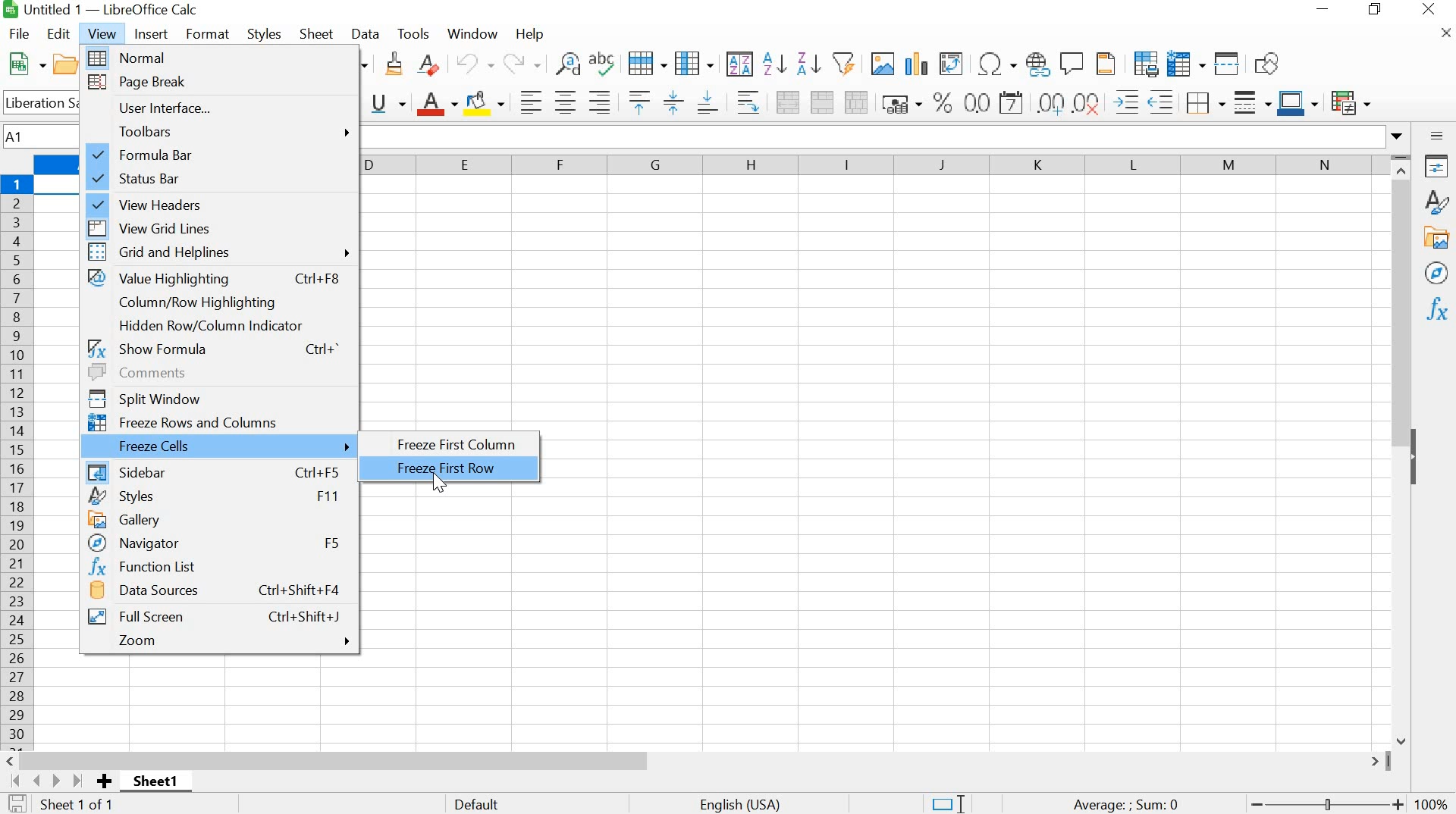  What do you see at coordinates (413, 32) in the screenshot?
I see `TOOLS` at bounding box center [413, 32].